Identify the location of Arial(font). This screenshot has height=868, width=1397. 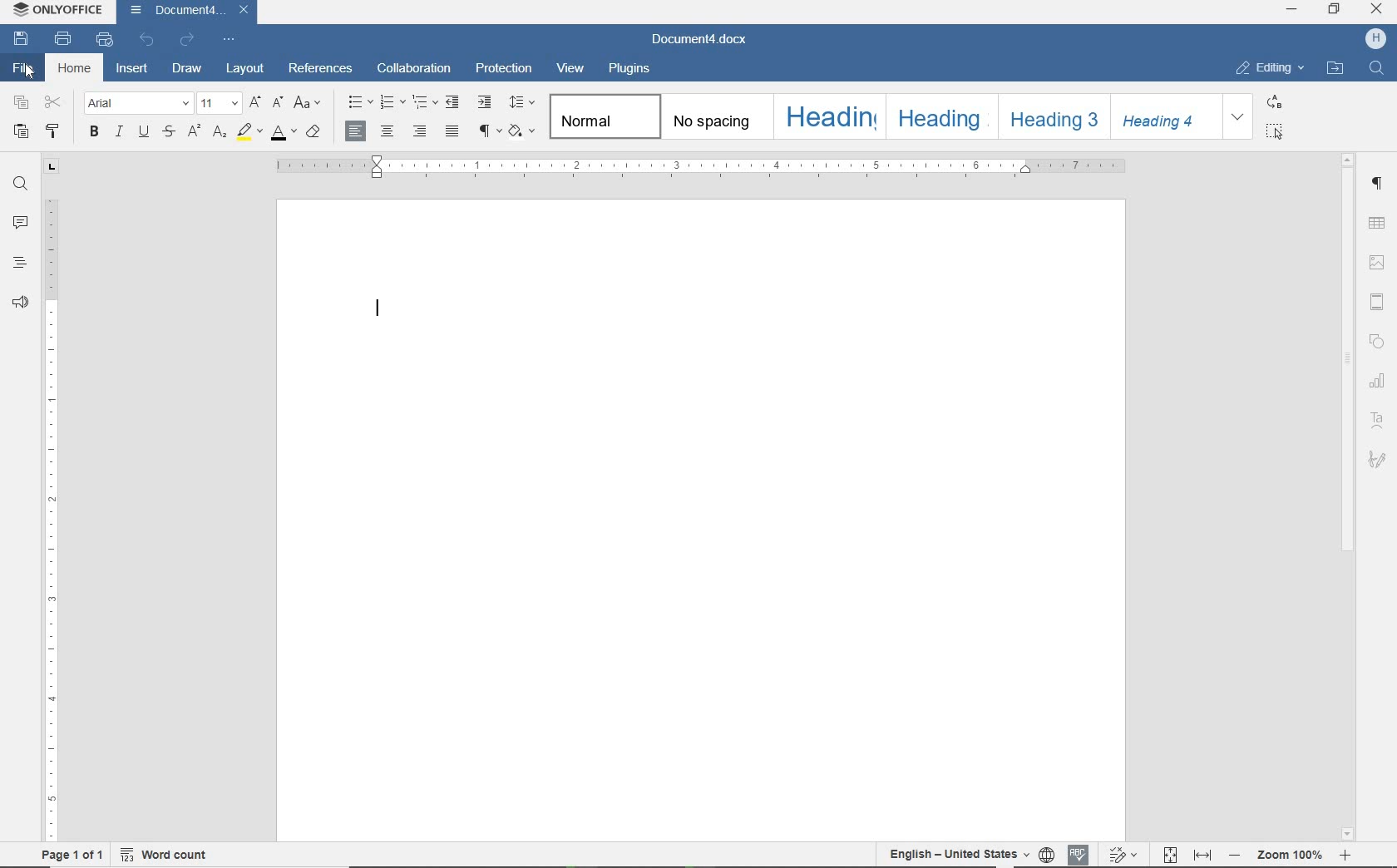
(138, 103).